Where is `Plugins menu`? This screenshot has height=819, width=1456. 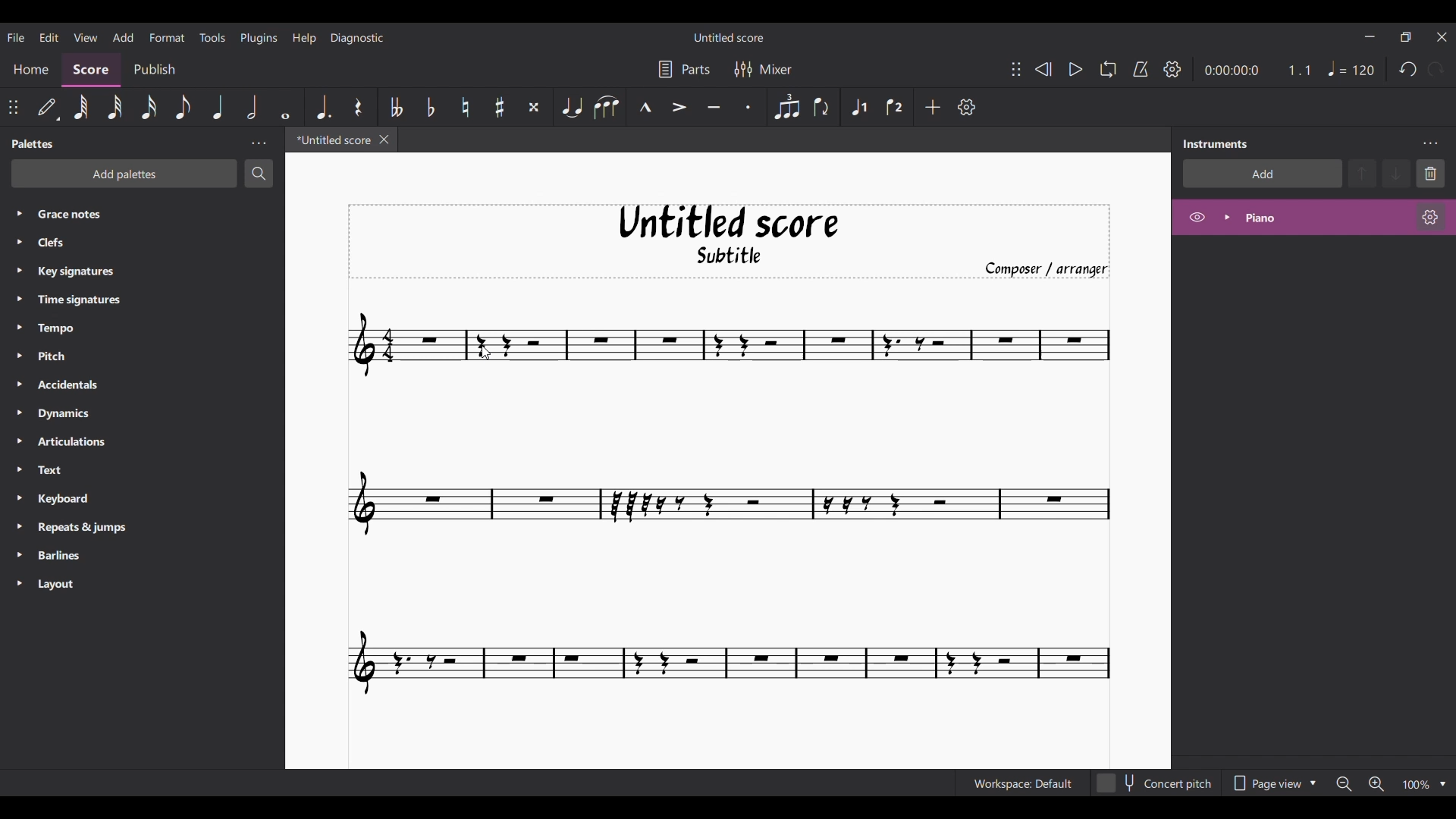 Plugins menu is located at coordinates (259, 38).